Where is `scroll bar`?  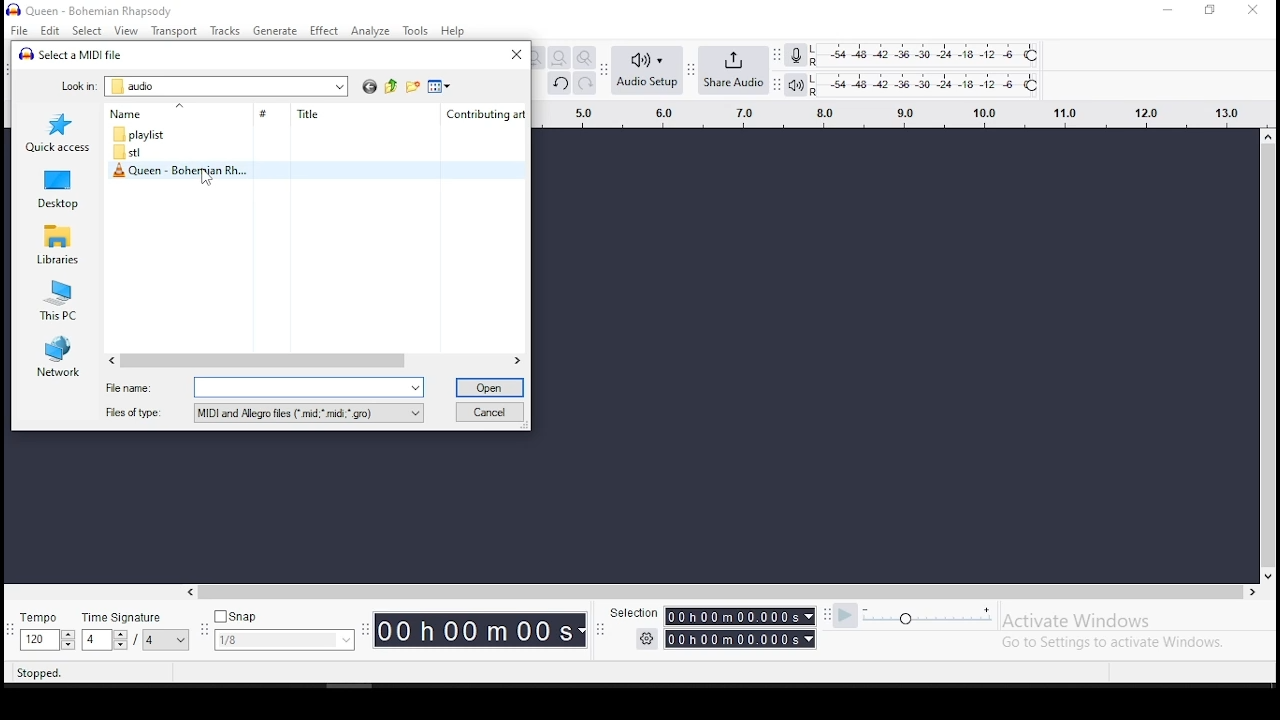
scroll bar is located at coordinates (314, 361).